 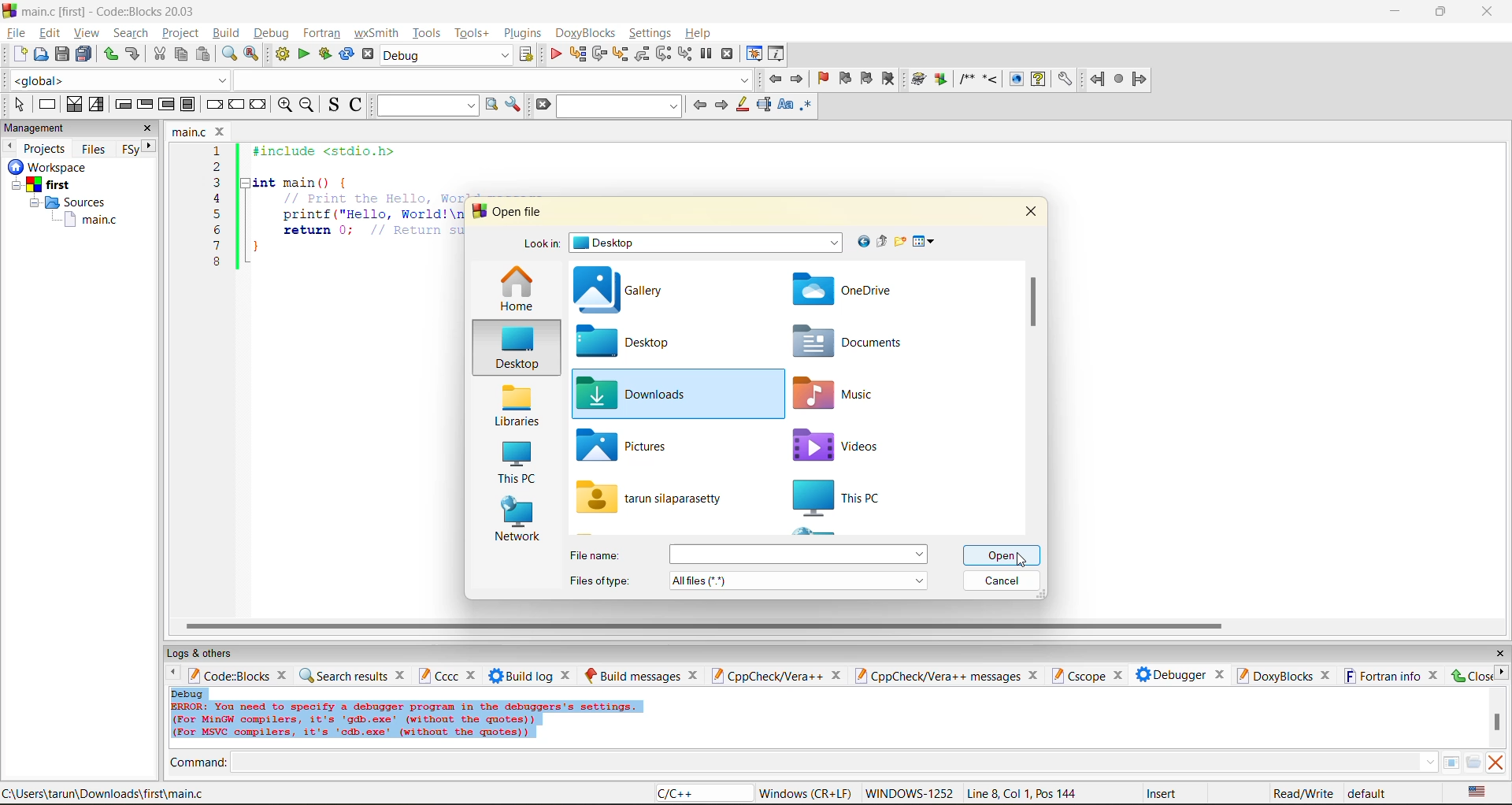 I want to click on command, so click(x=198, y=764).